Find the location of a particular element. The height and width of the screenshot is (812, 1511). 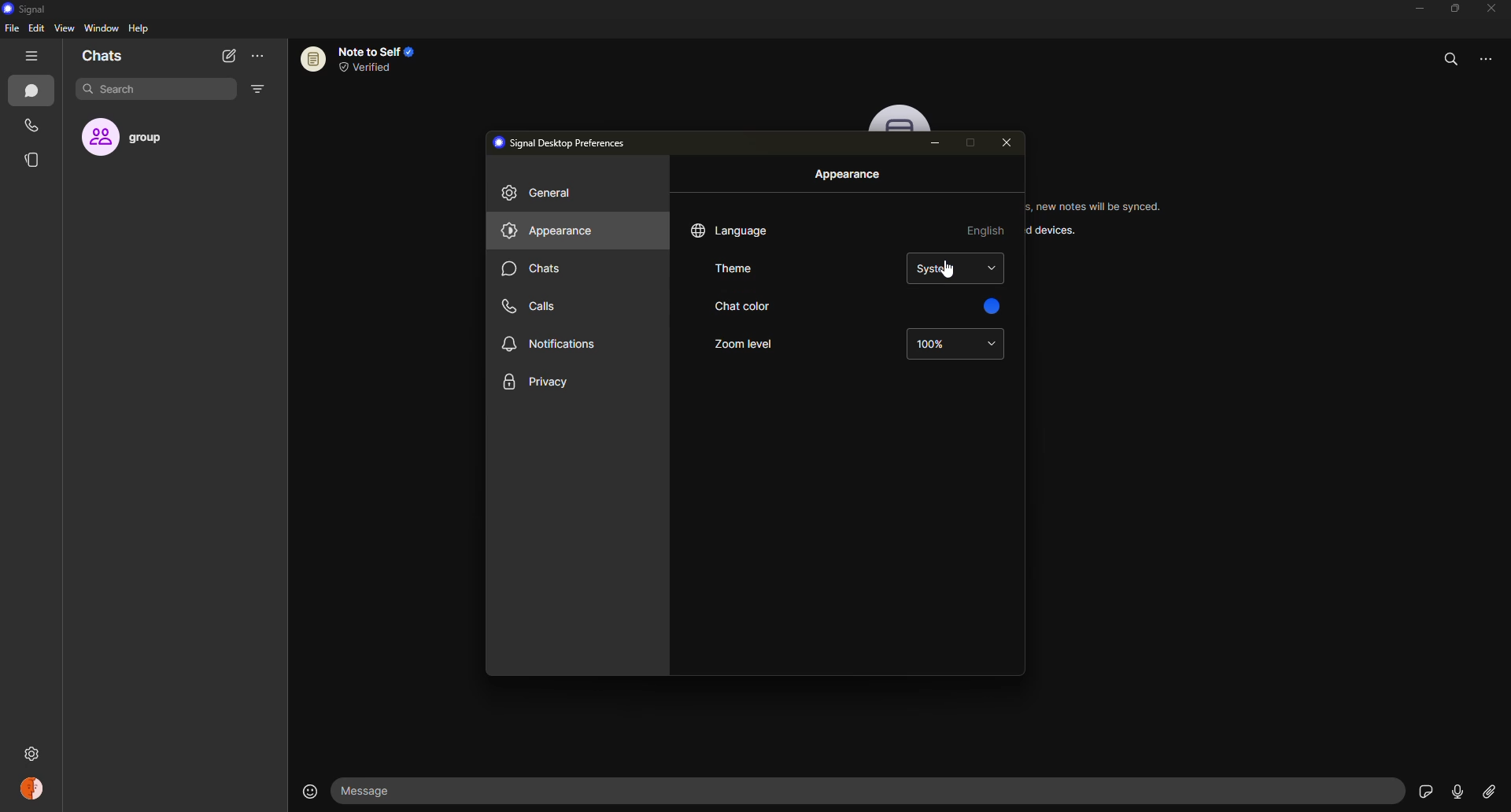

appearance is located at coordinates (549, 231).